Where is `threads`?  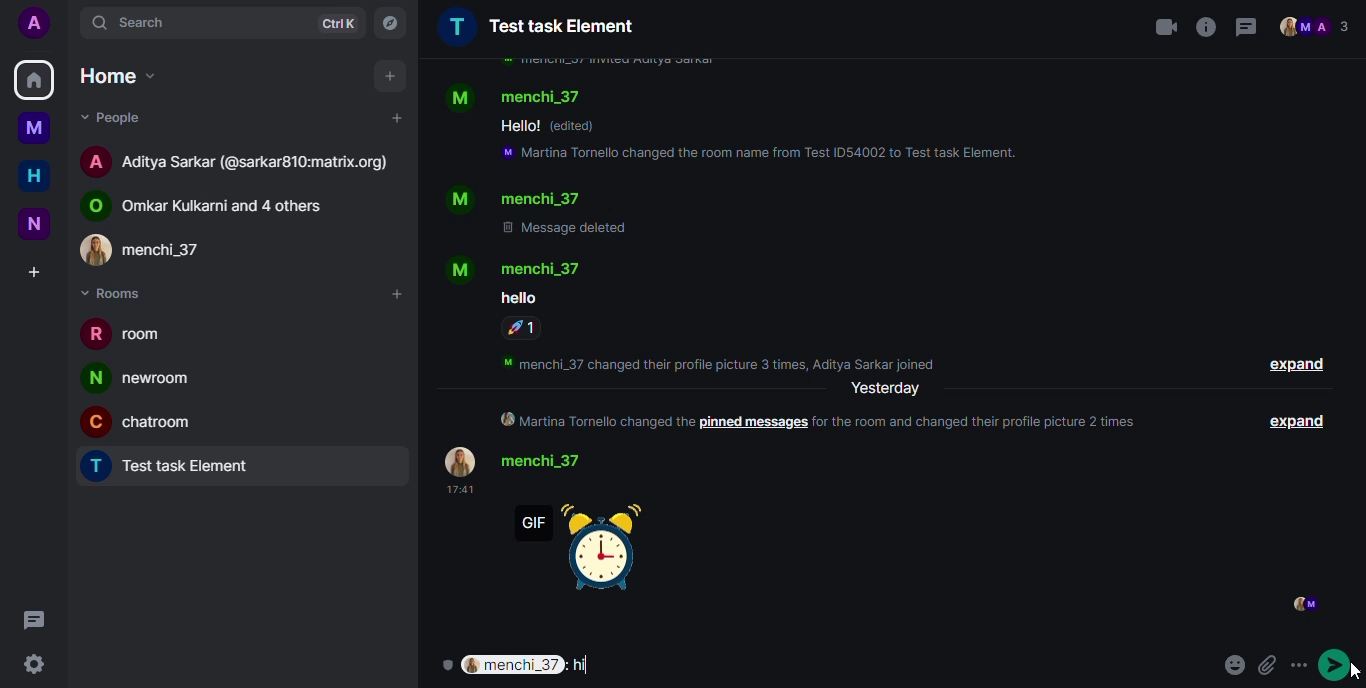
threads is located at coordinates (35, 622).